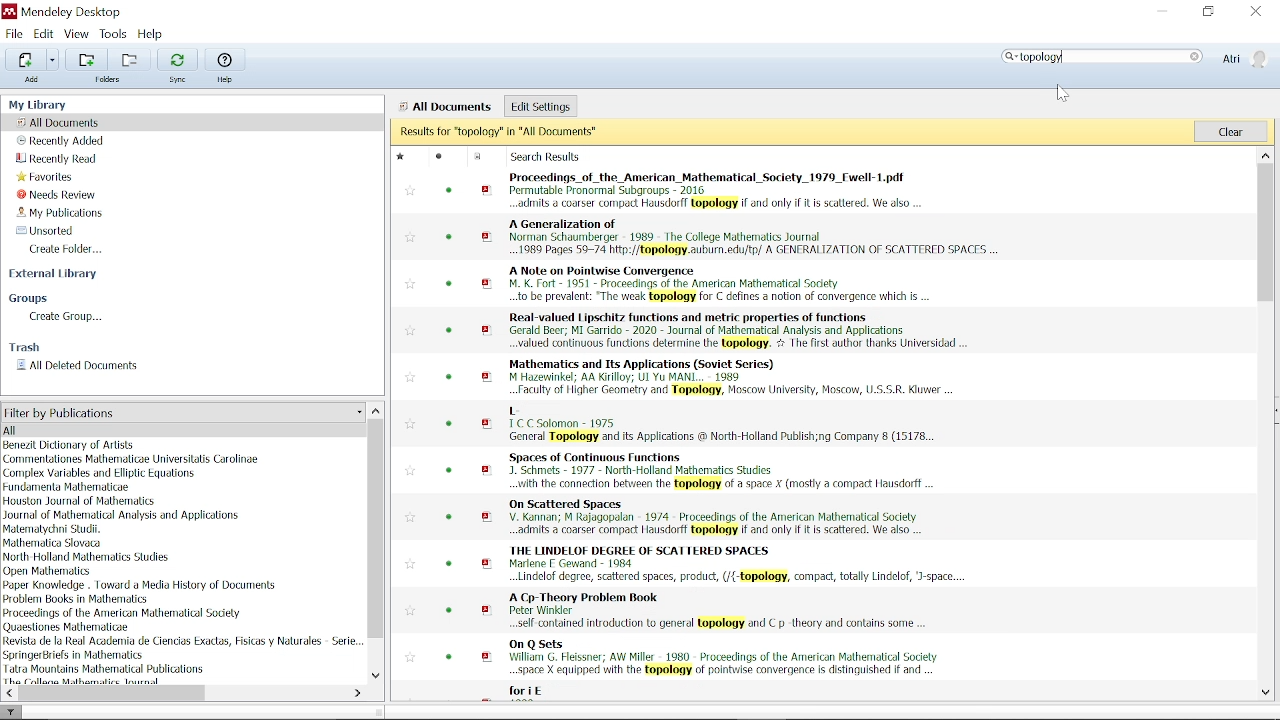 The height and width of the screenshot is (720, 1280). What do you see at coordinates (151, 34) in the screenshot?
I see `Help` at bounding box center [151, 34].